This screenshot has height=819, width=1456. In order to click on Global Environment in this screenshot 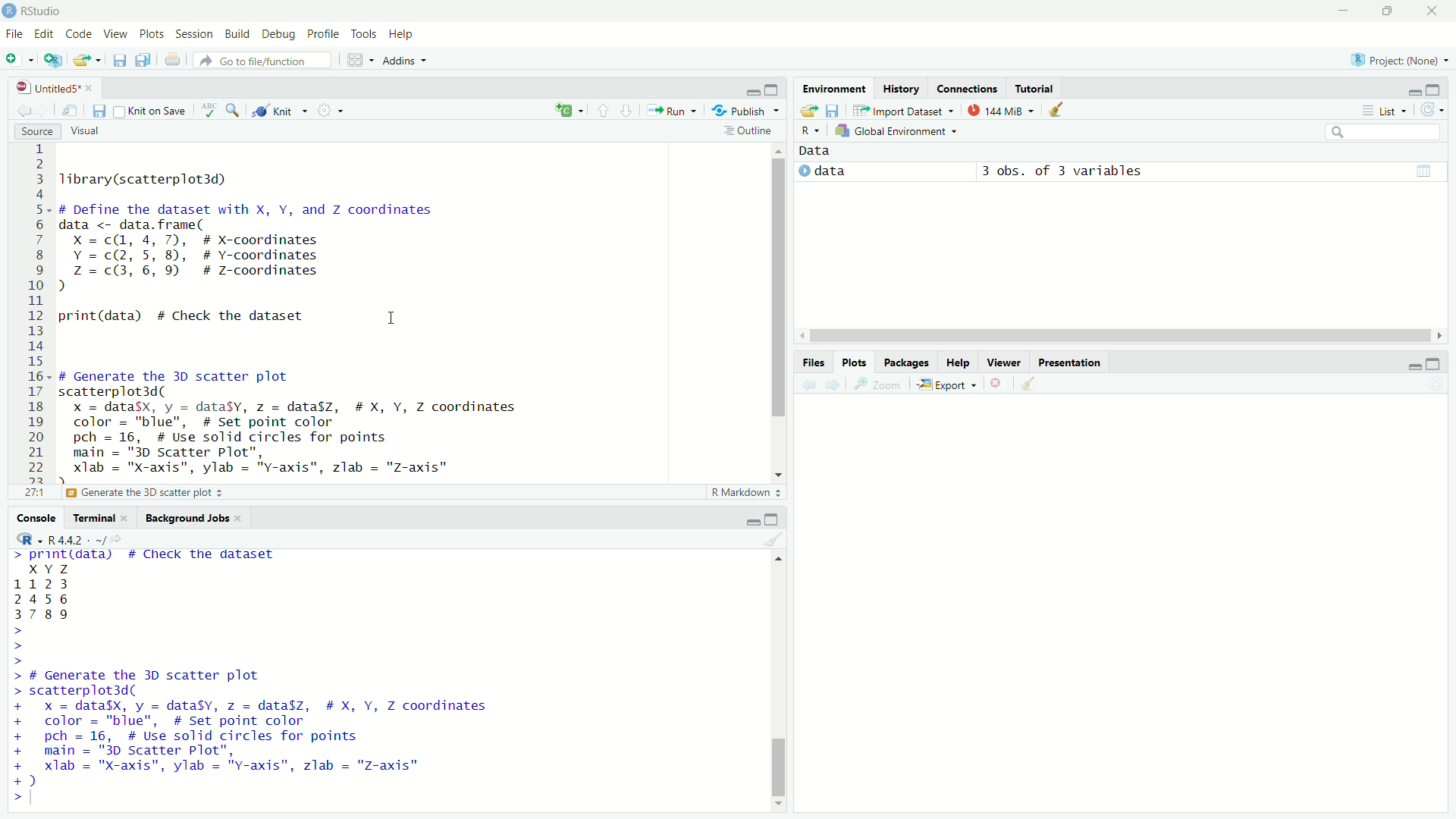, I will do `click(899, 131)`.